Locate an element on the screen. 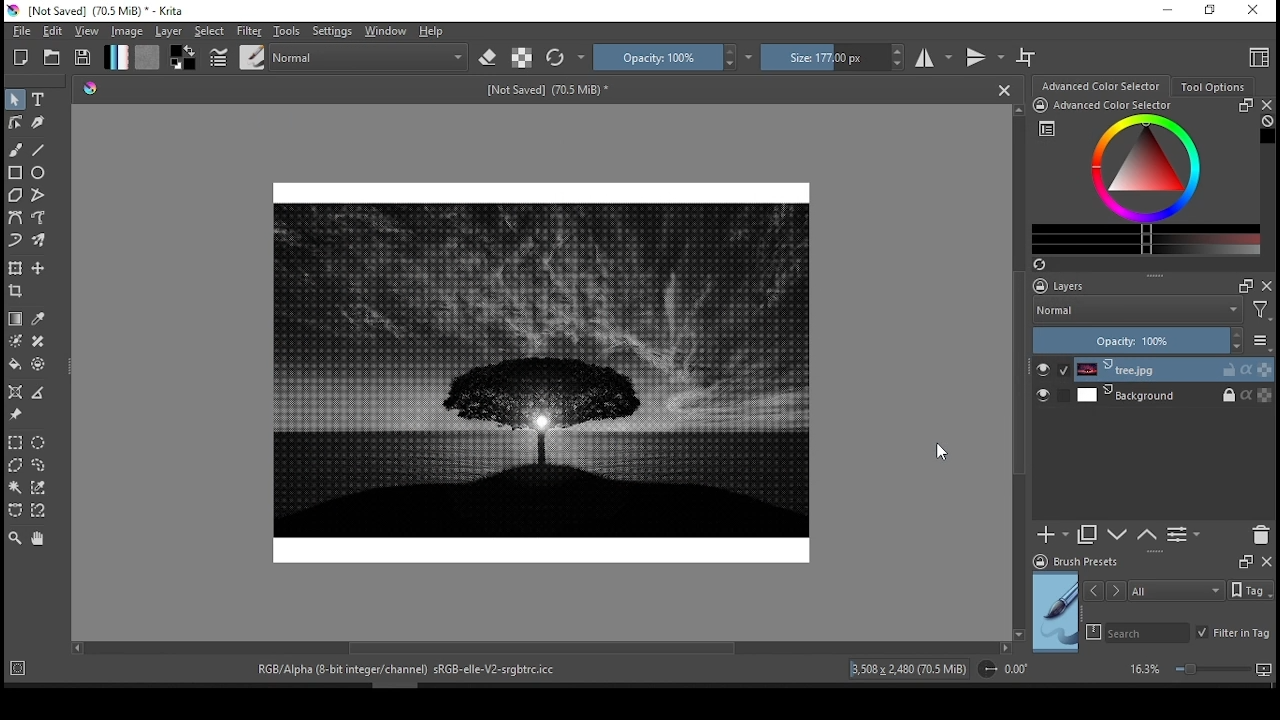 Image resolution: width=1280 pixels, height=720 pixels. filter in tag on/off is located at coordinates (1232, 635).